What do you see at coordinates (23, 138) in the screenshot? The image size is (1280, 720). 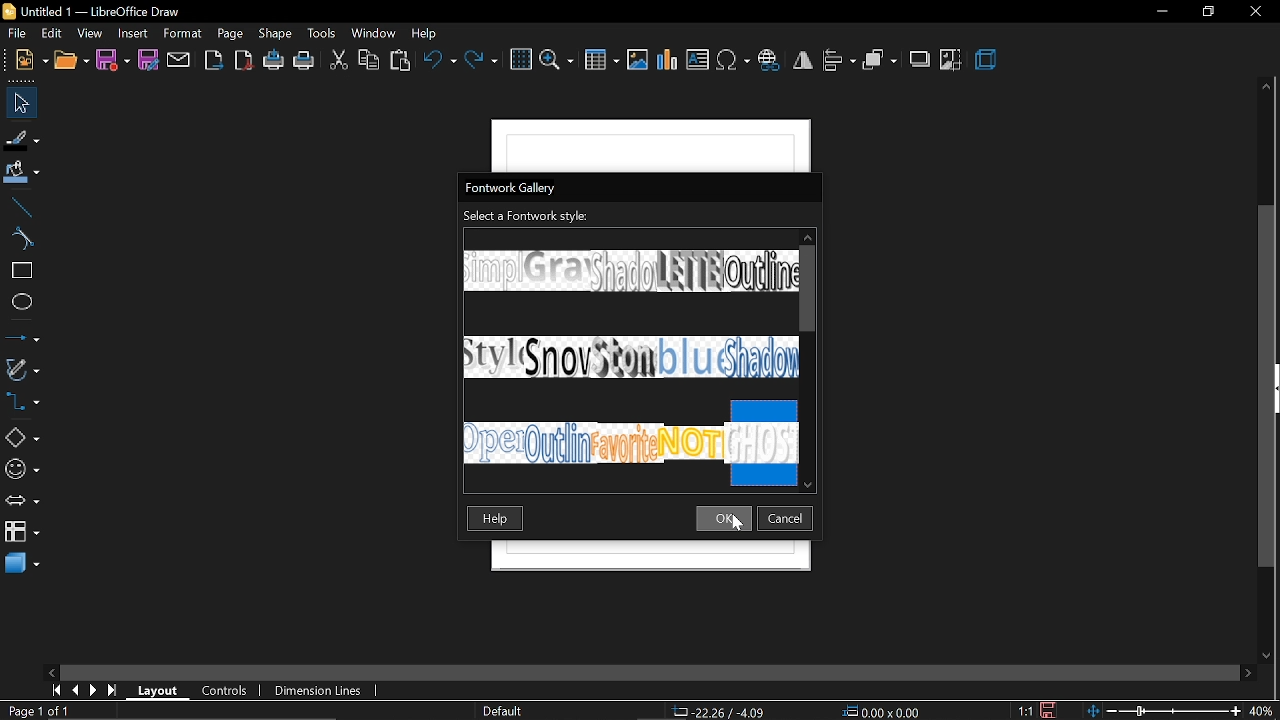 I see `fill line` at bounding box center [23, 138].